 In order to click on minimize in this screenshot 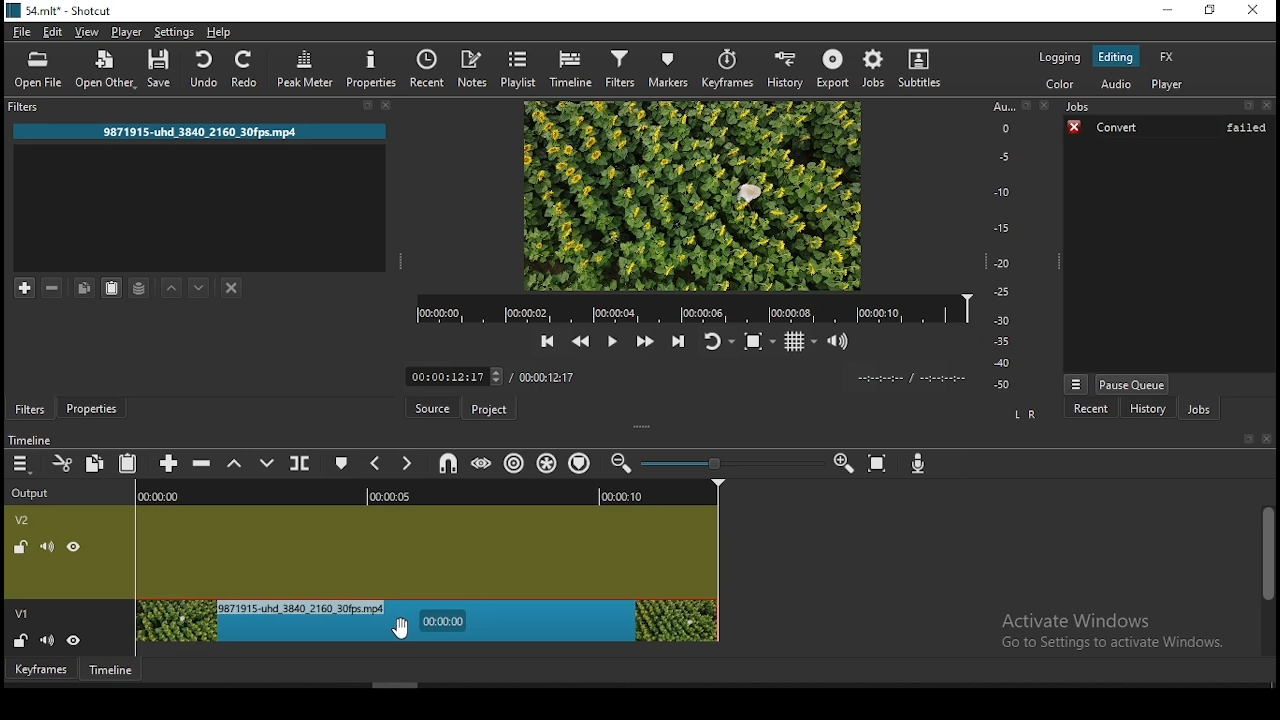, I will do `click(1163, 10)`.